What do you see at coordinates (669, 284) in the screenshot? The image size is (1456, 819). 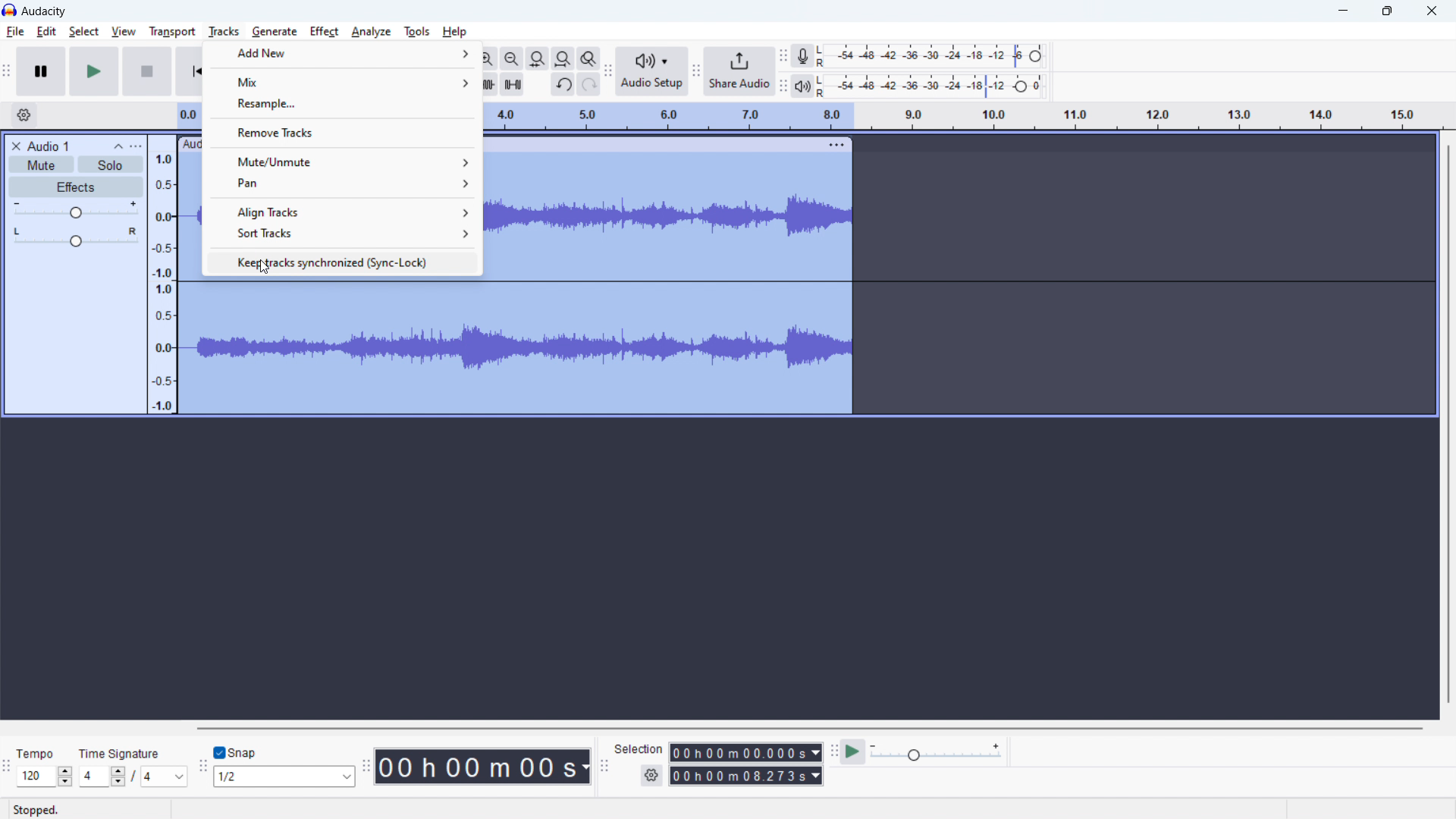 I see `track selcted` at bounding box center [669, 284].